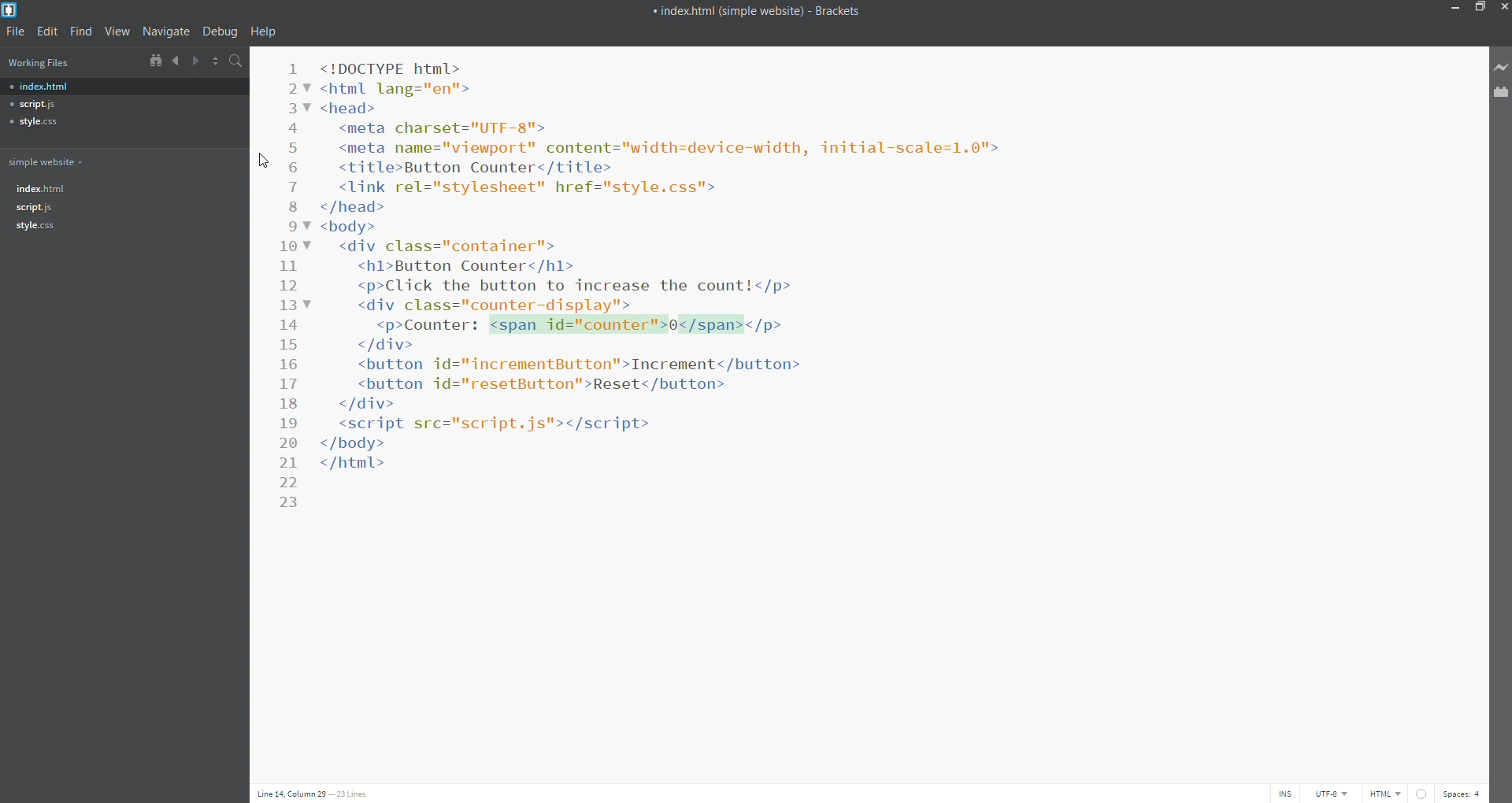  What do you see at coordinates (82, 30) in the screenshot?
I see `find` at bounding box center [82, 30].